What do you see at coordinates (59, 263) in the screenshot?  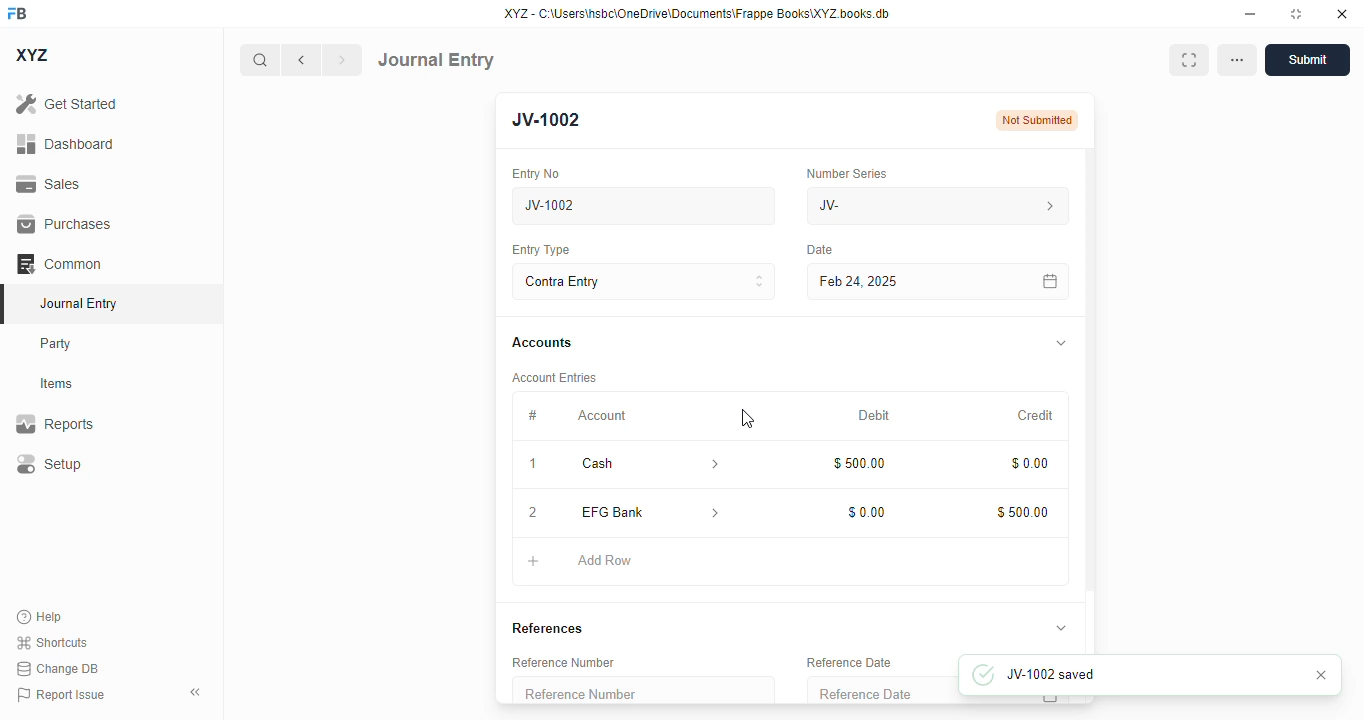 I see `common` at bounding box center [59, 263].